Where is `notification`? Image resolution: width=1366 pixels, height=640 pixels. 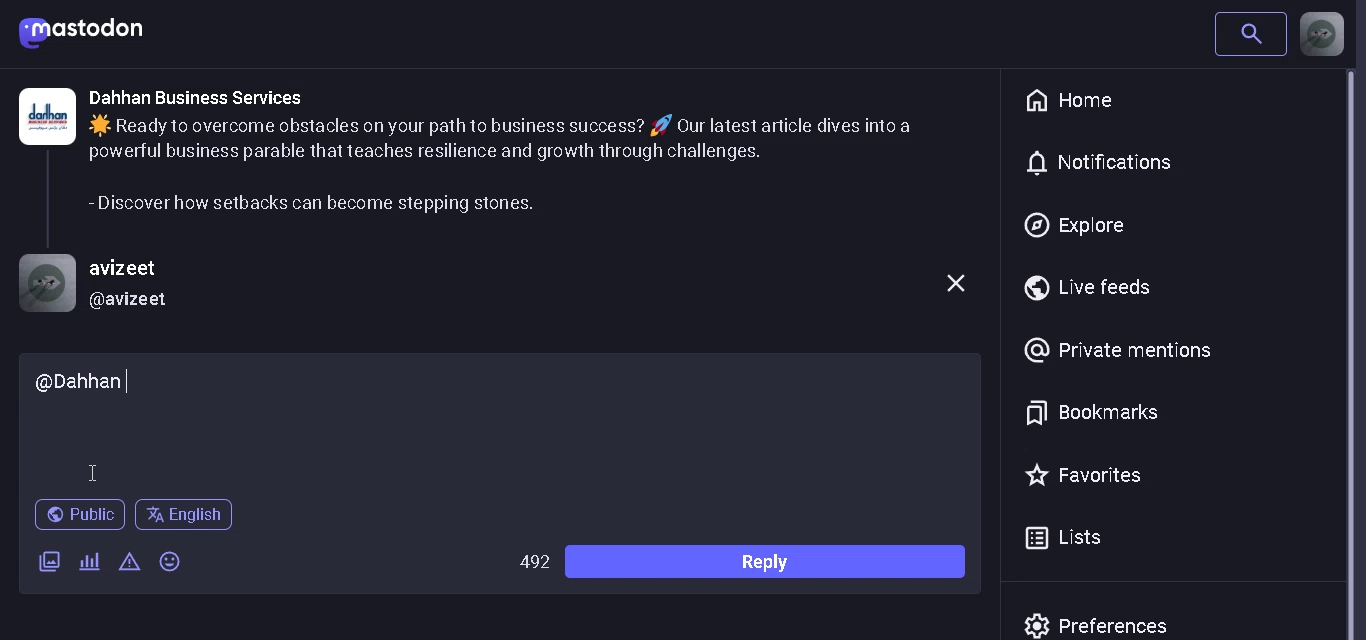
notification is located at coordinates (1114, 162).